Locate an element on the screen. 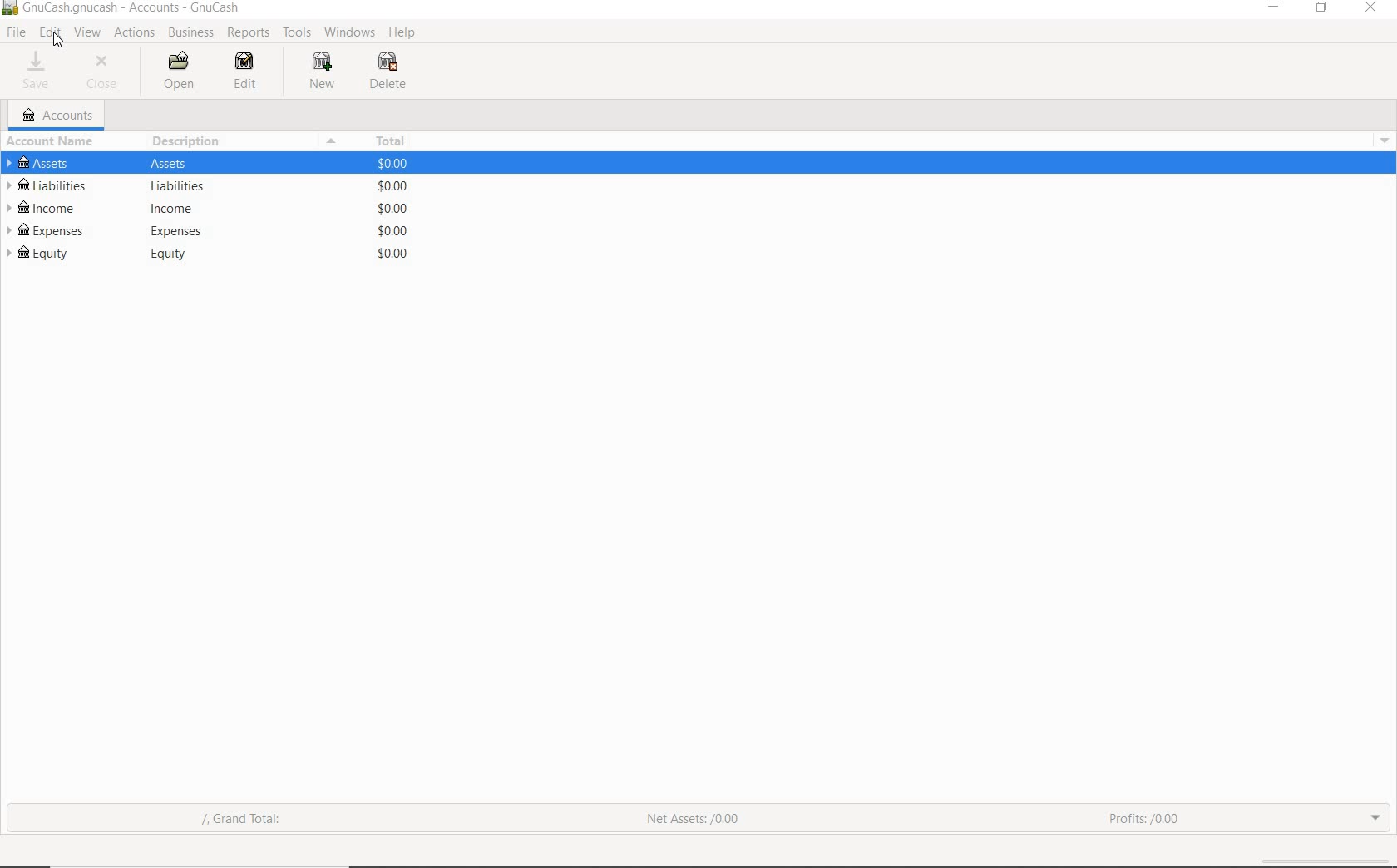 This screenshot has height=868, width=1397. net assets is located at coordinates (690, 818).